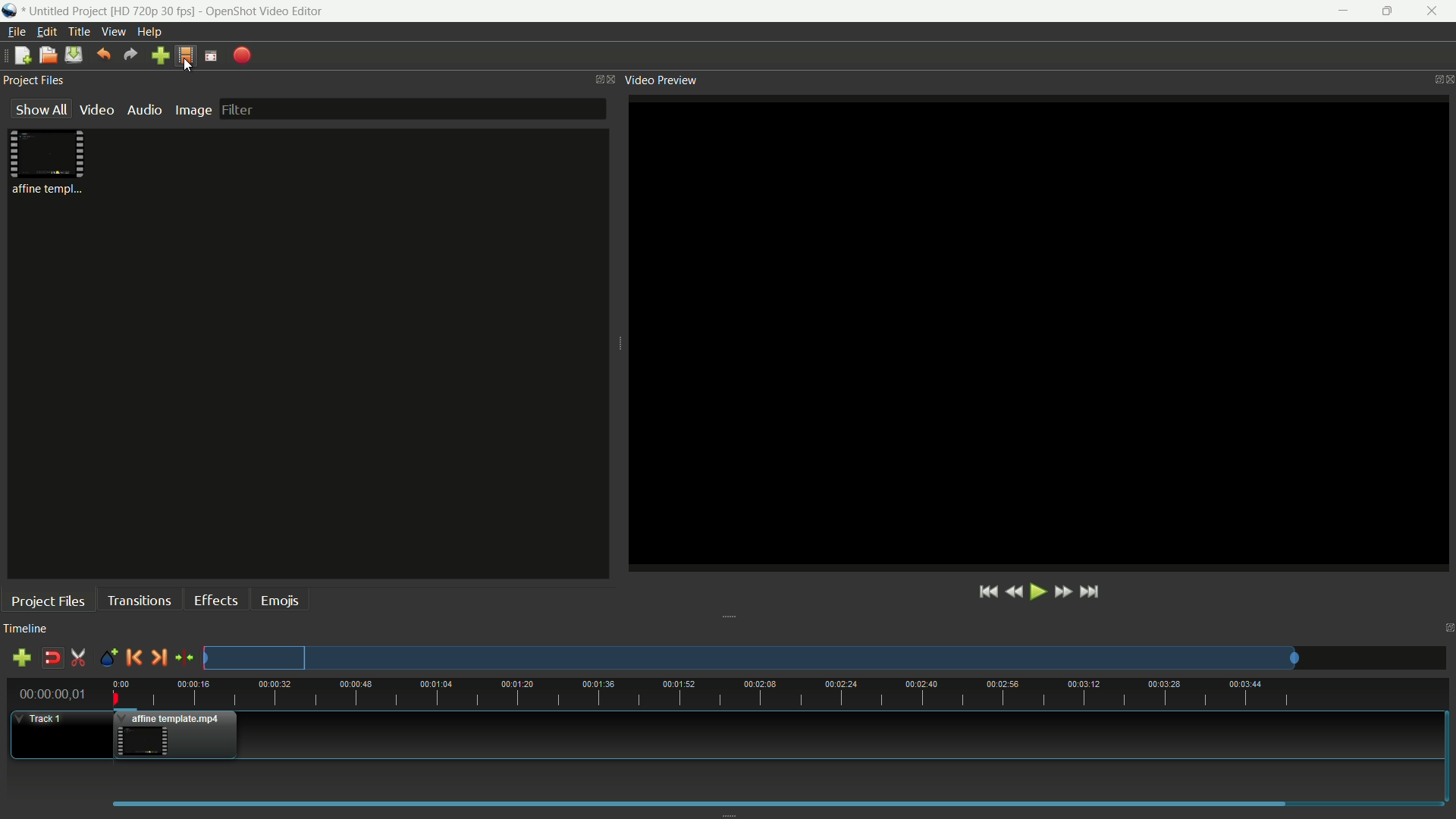 The width and height of the screenshot is (1456, 819). What do you see at coordinates (27, 629) in the screenshot?
I see `timeline` at bounding box center [27, 629].